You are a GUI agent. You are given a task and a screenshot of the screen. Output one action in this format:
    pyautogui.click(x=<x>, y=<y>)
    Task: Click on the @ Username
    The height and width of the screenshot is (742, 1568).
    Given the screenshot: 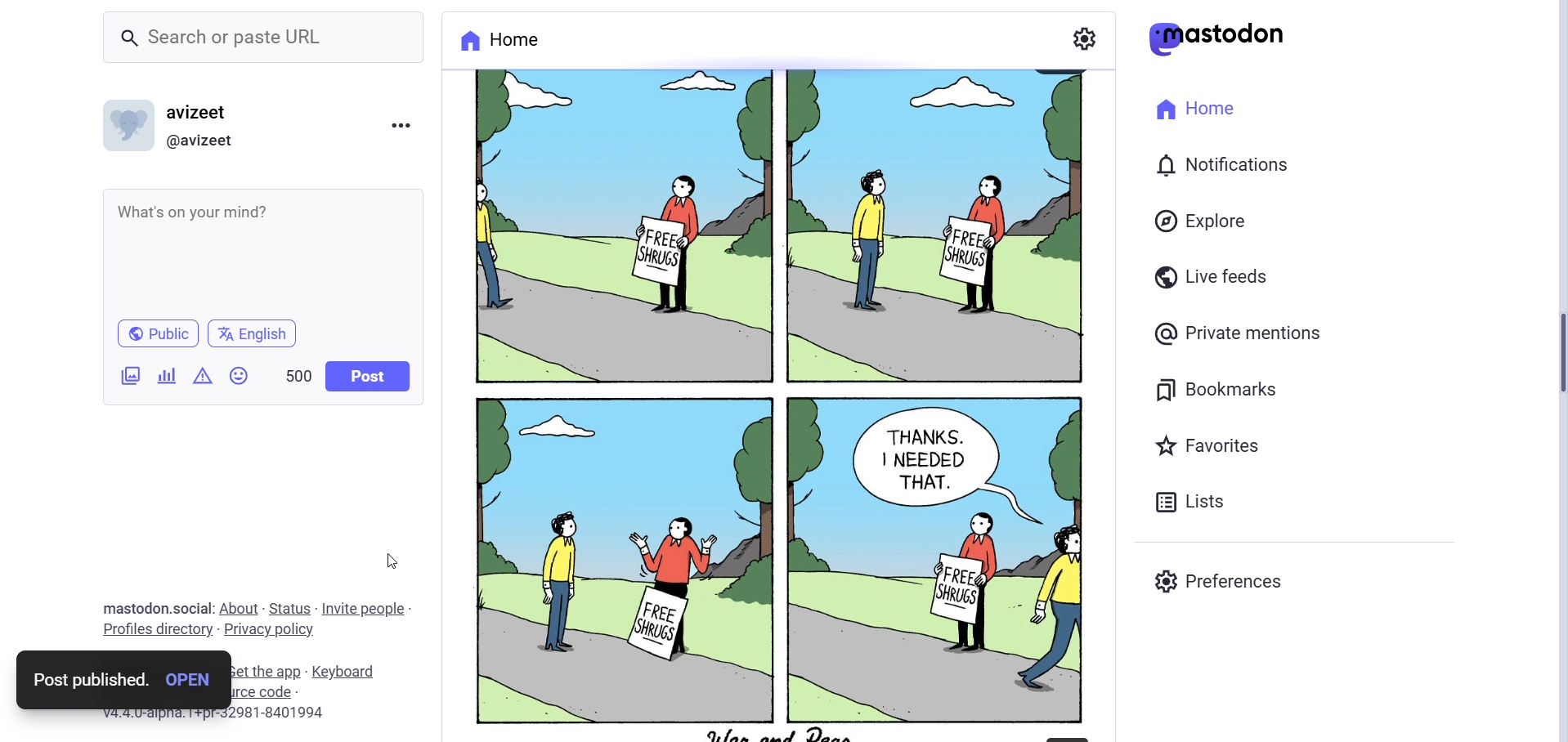 What is the action you would take?
    pyautogui.click(x=208, y=141)
    